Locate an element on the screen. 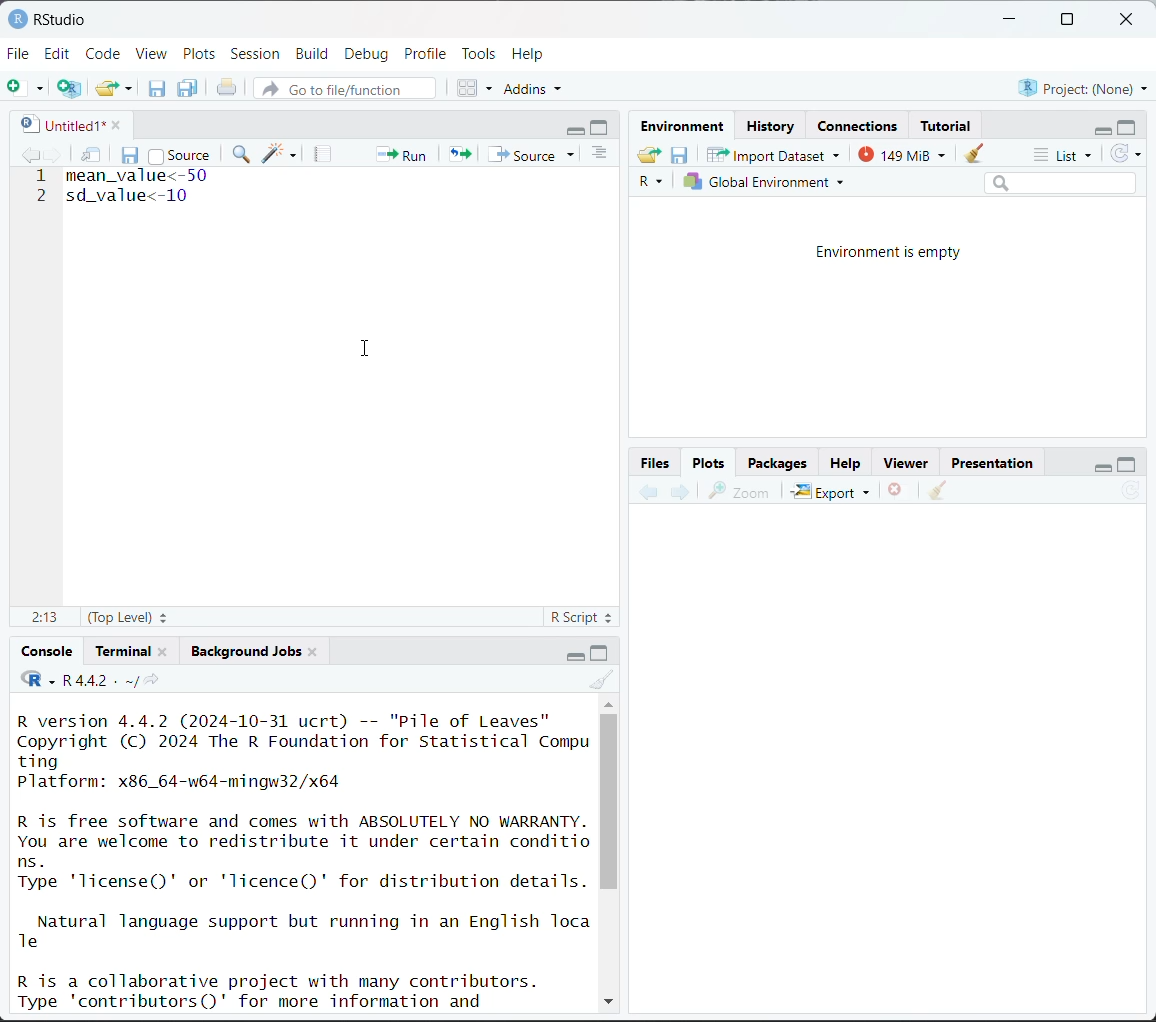  close is located at coordinates (313, 650).